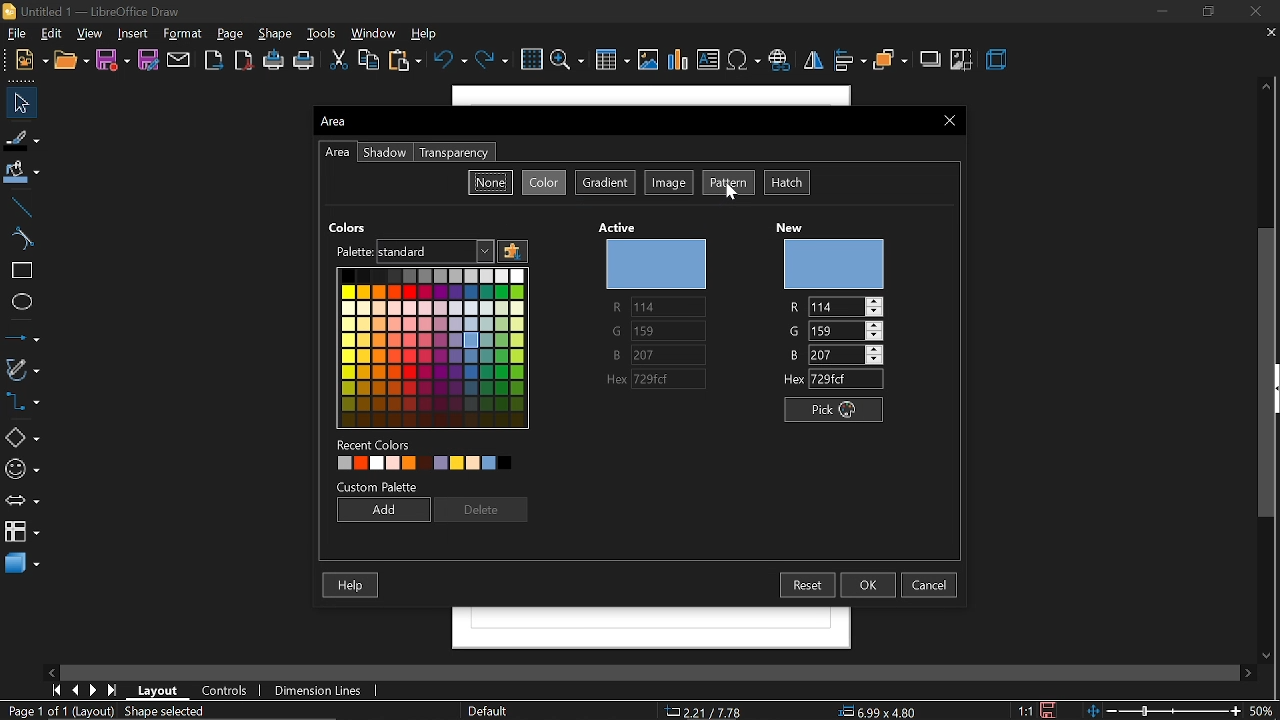 The height and width of the screenshot is (720, 1280). What do you see at coordinates (22, 368) in the screenshot?
I see `curves and polygons` at bounding box center [22, 368].